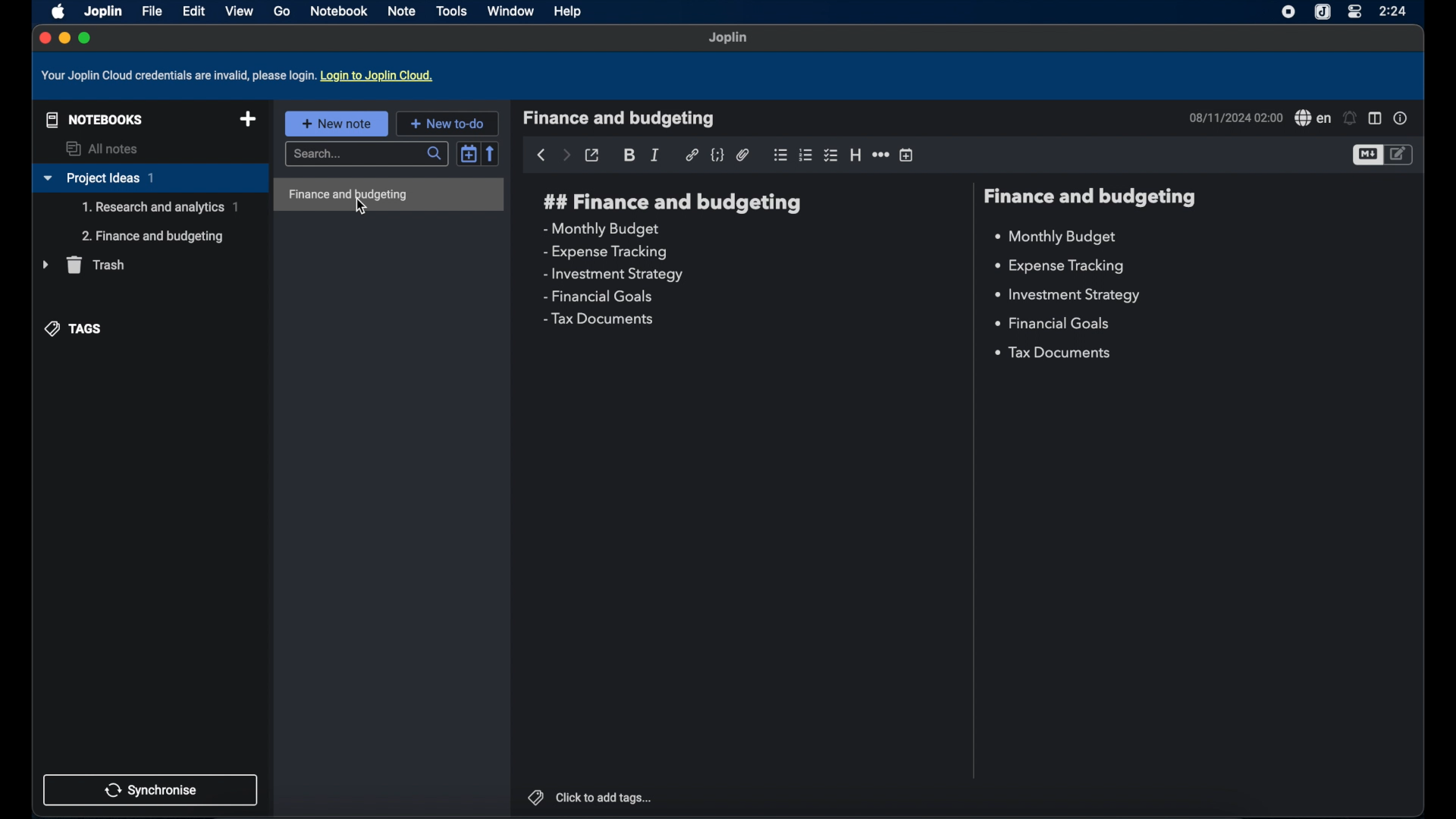 This screenshot has width=1456, height=819. Describe the element at coordinates (1285, 12) in the screenshot. I see `screen recorder icon` at that location.